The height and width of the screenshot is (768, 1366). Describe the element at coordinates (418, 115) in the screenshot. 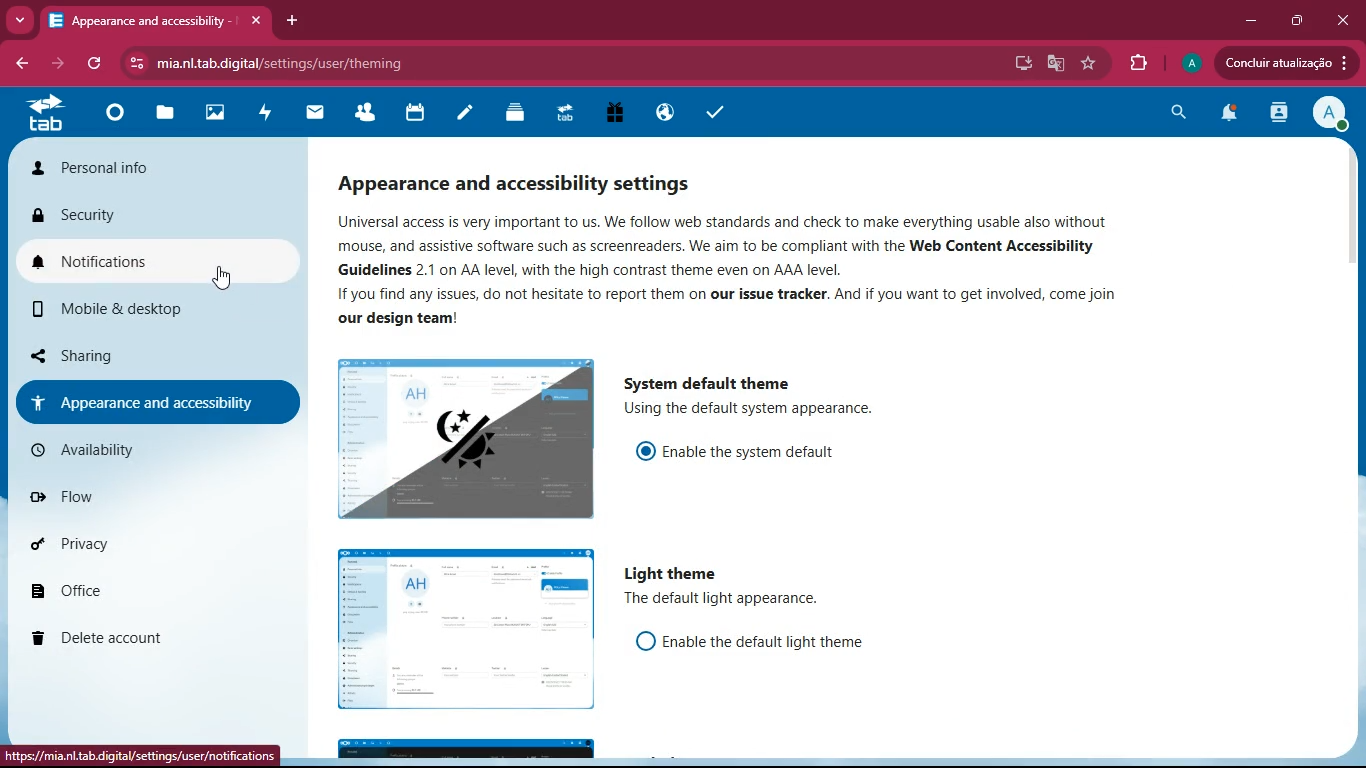

I see `calendar` at that location.